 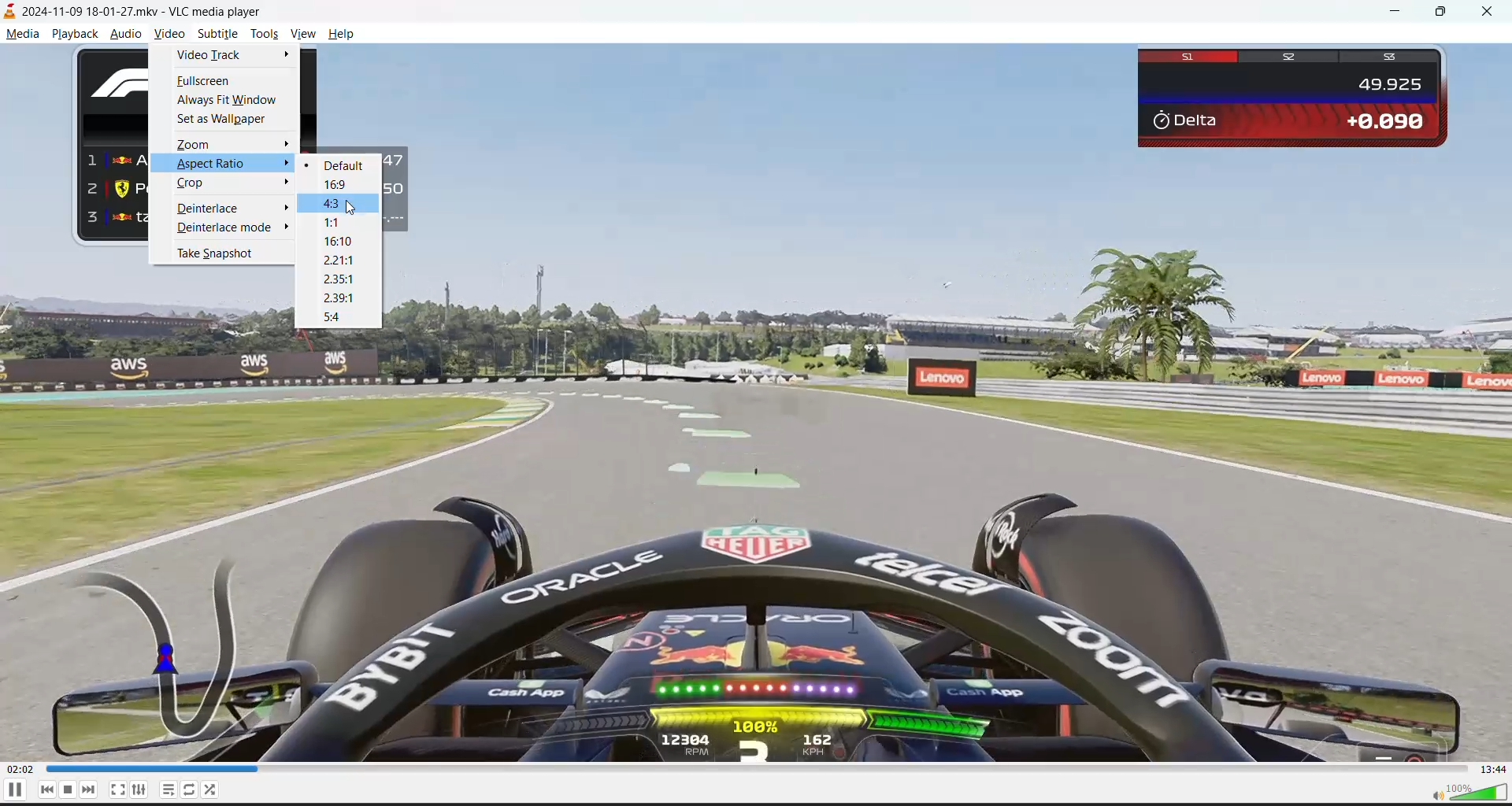 What do you see at coordinates (1492, 769) in the screenshot?
I see `total track time` at bounding box center [1492, 769].